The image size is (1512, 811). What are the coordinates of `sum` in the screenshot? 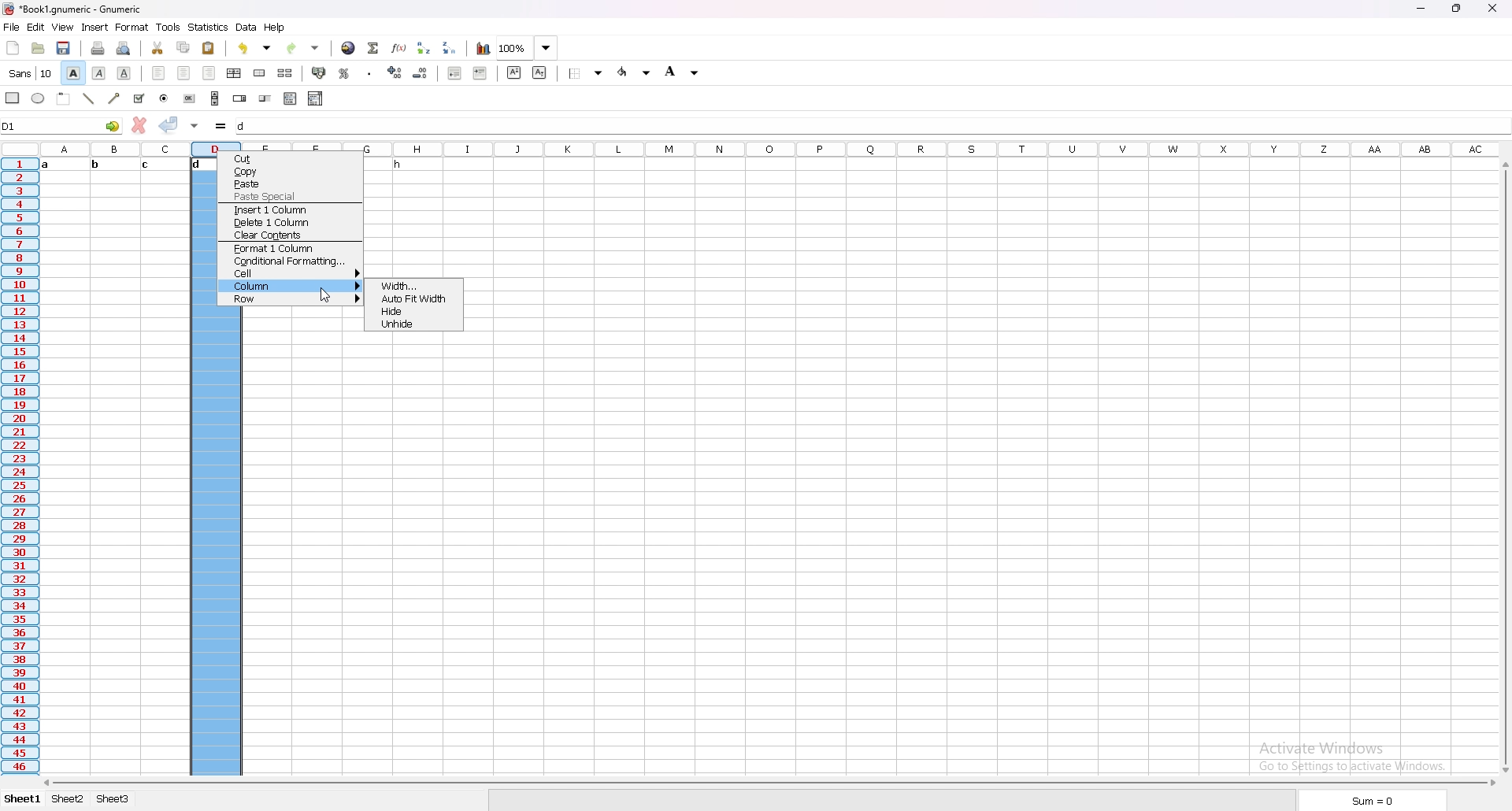 It's located at (1386, 799).